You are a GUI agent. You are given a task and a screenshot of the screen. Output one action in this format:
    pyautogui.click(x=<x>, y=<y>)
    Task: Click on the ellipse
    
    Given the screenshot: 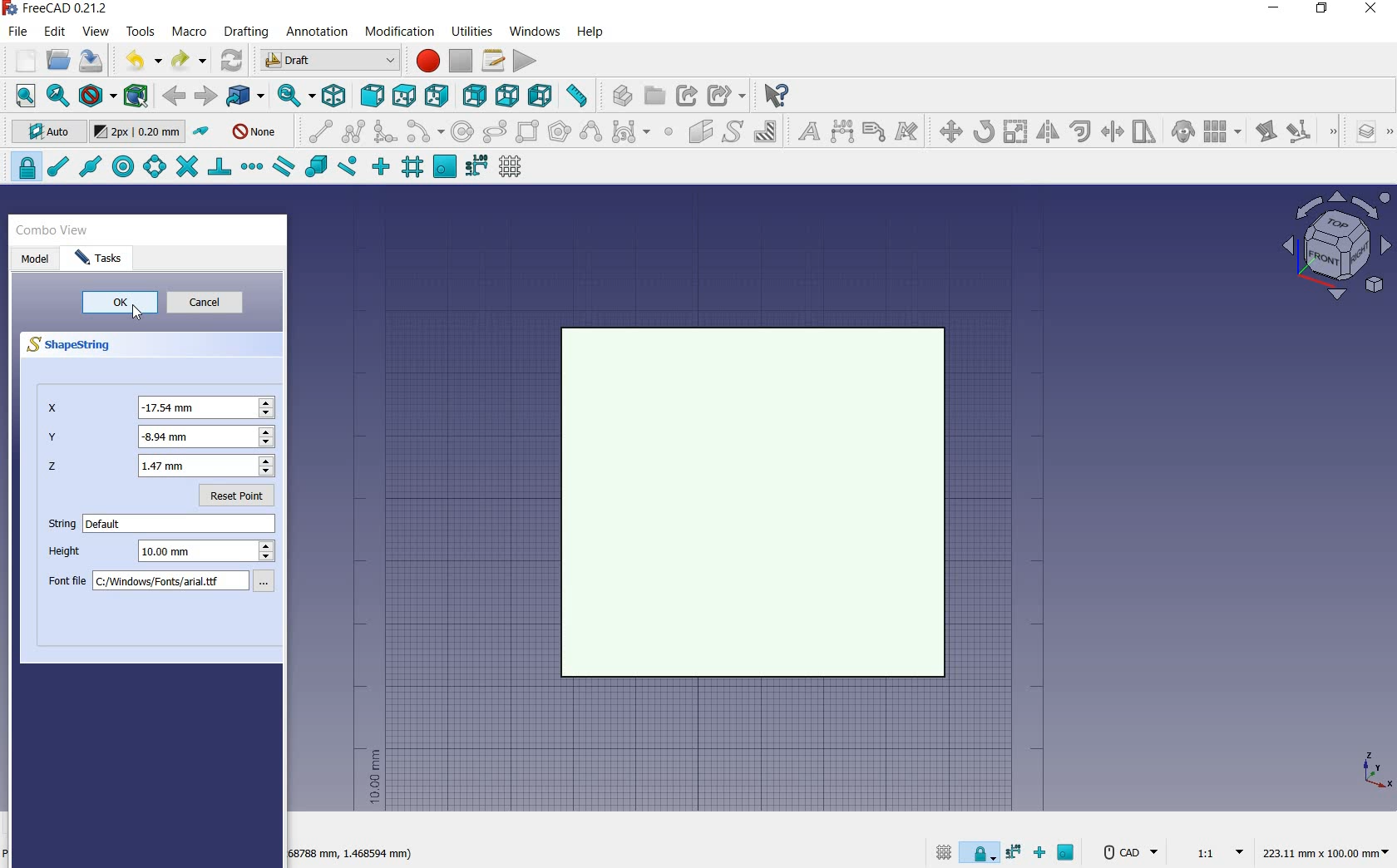 What is the action you would take?
    pyautogui.click(x=494, y=132)
    